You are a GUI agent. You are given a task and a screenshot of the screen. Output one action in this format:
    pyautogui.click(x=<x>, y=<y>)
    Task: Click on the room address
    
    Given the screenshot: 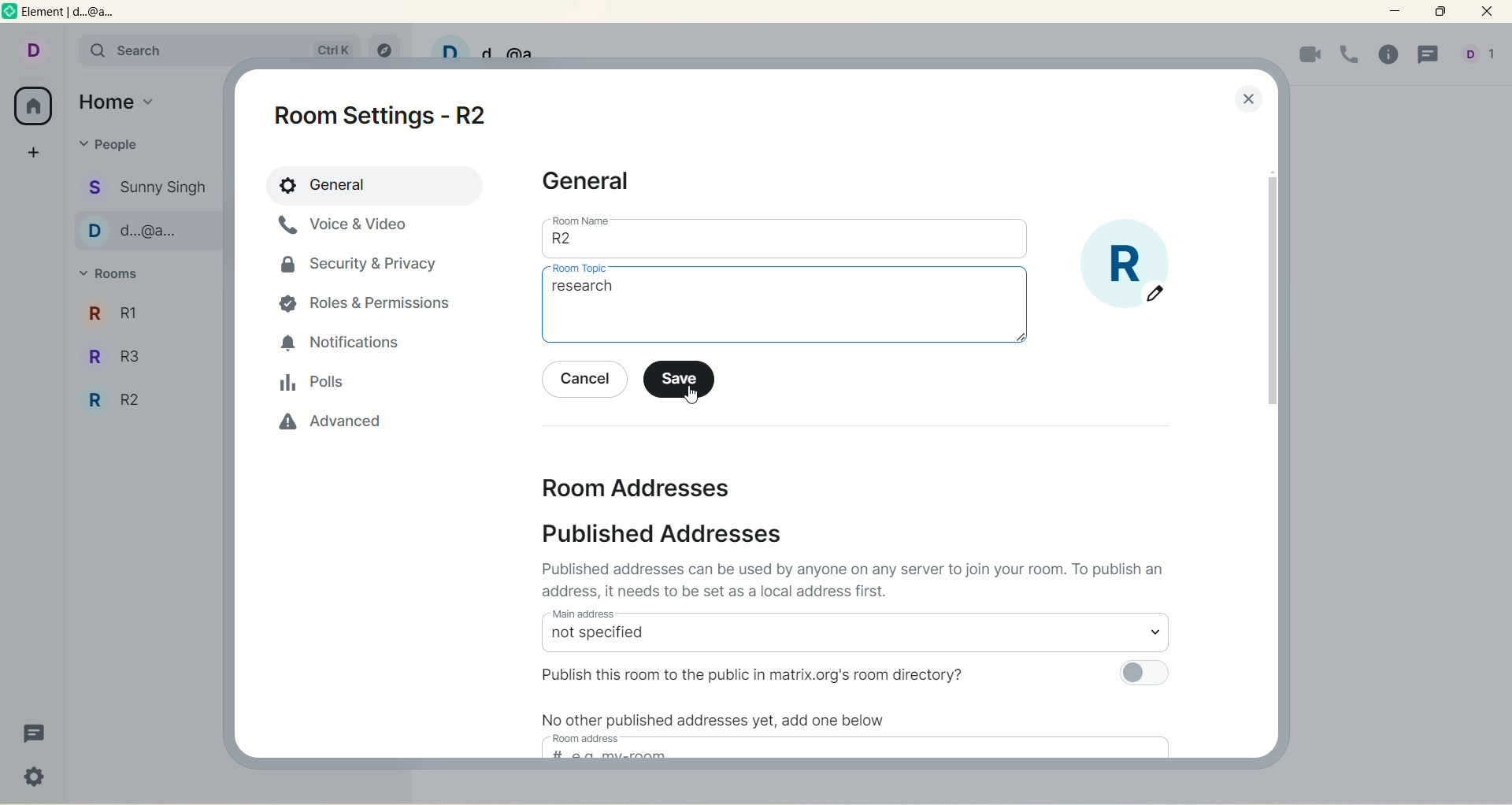 What is the action you would take?
    pyautogui.click(x=645, y=486)
    